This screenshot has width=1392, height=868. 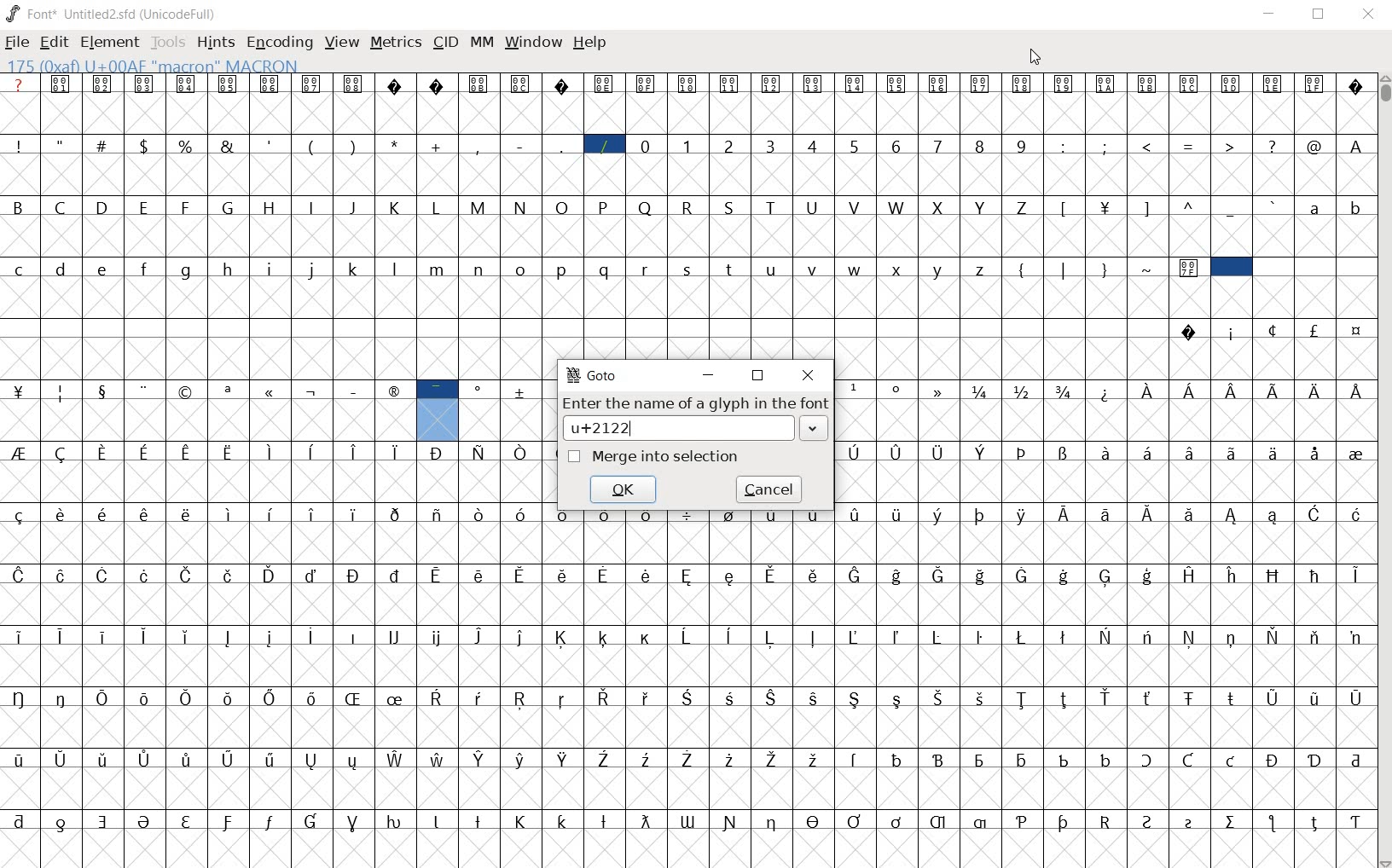 I want to click on close, so click(x=807, y=377).